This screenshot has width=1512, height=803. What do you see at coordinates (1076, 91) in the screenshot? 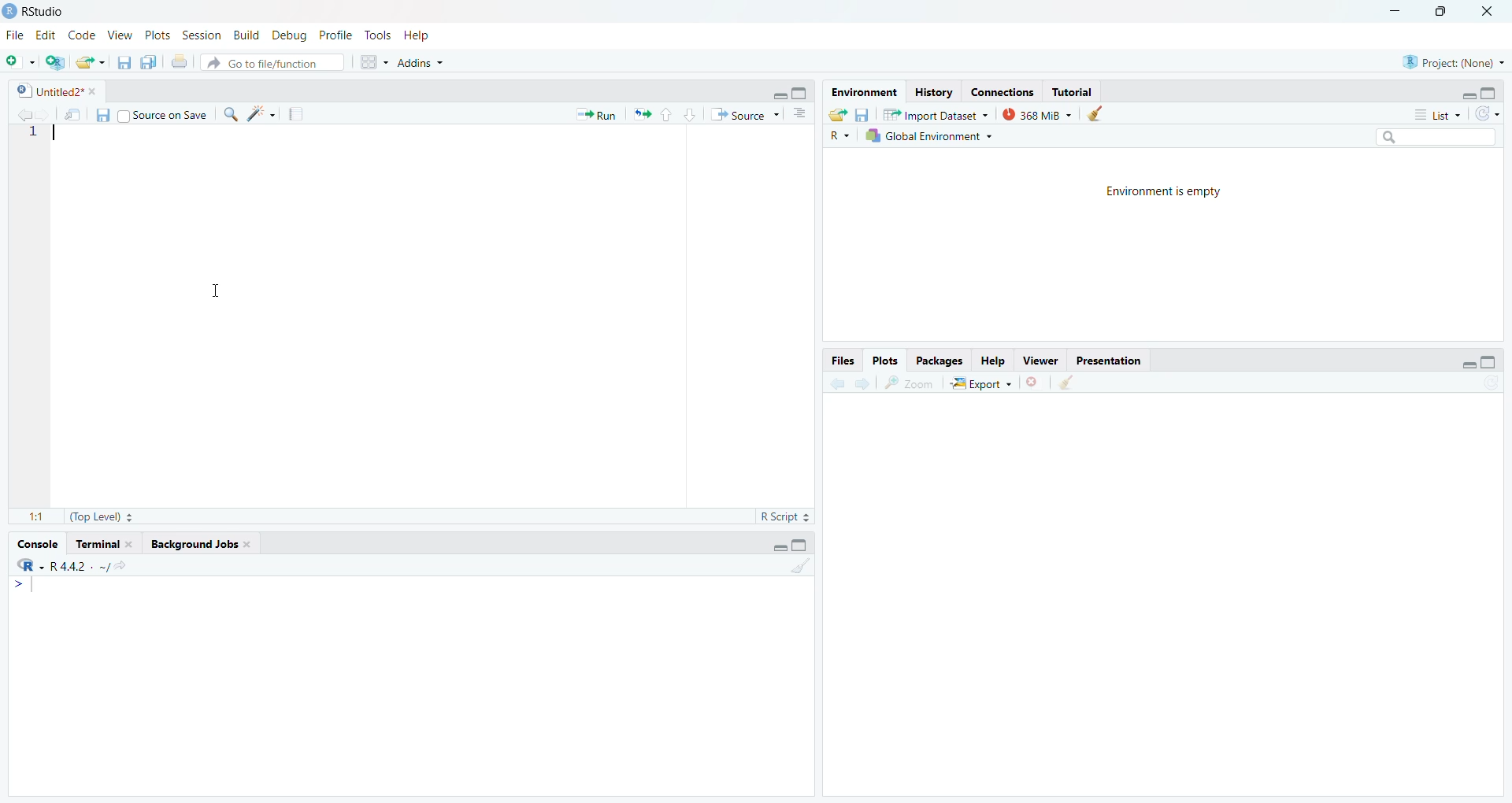
I see `Tutorial` at bounding box center [1076, 91].